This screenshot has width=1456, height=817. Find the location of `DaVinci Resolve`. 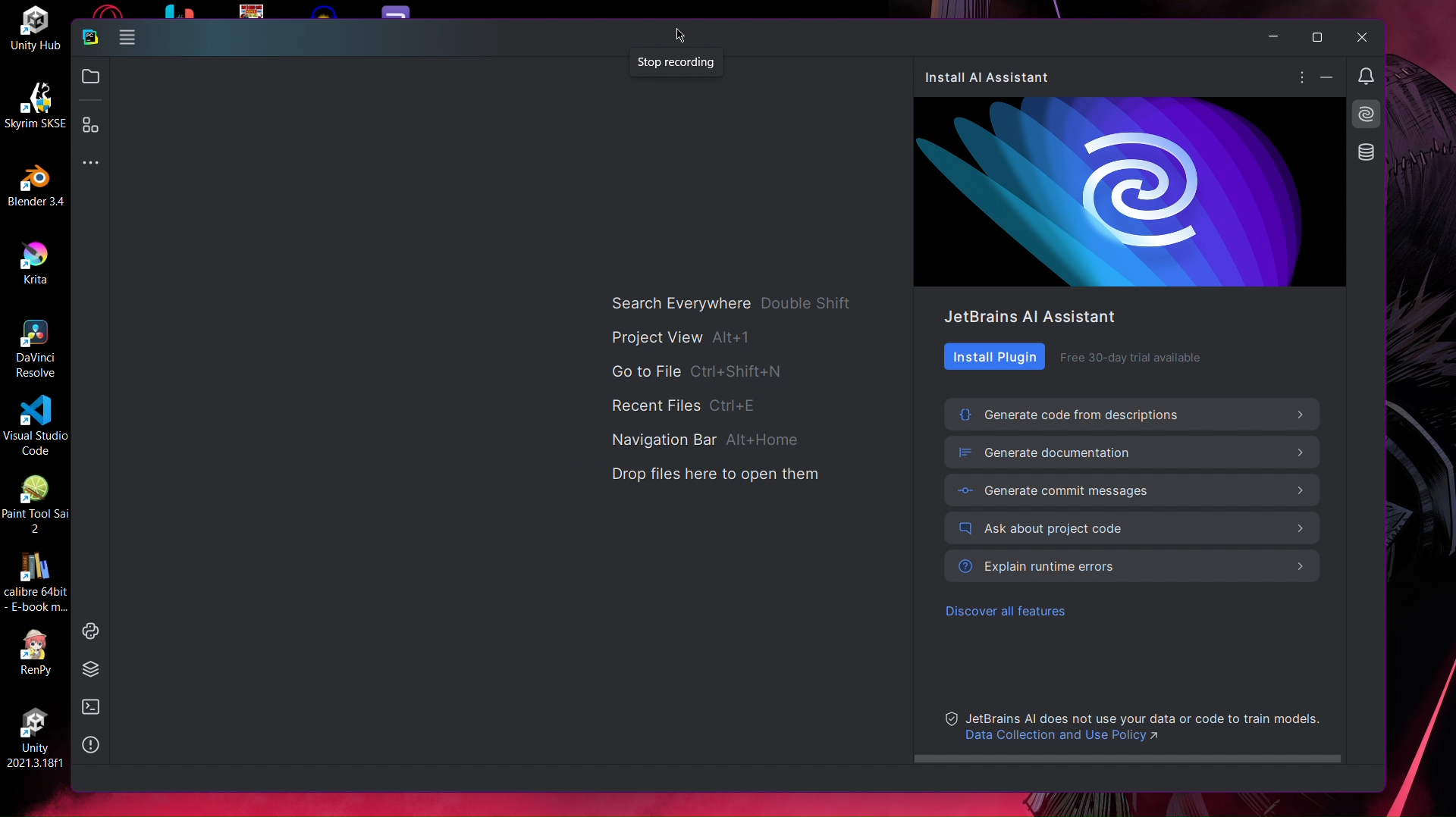

DaVinci Resolve is located at coordinates (36, 347).